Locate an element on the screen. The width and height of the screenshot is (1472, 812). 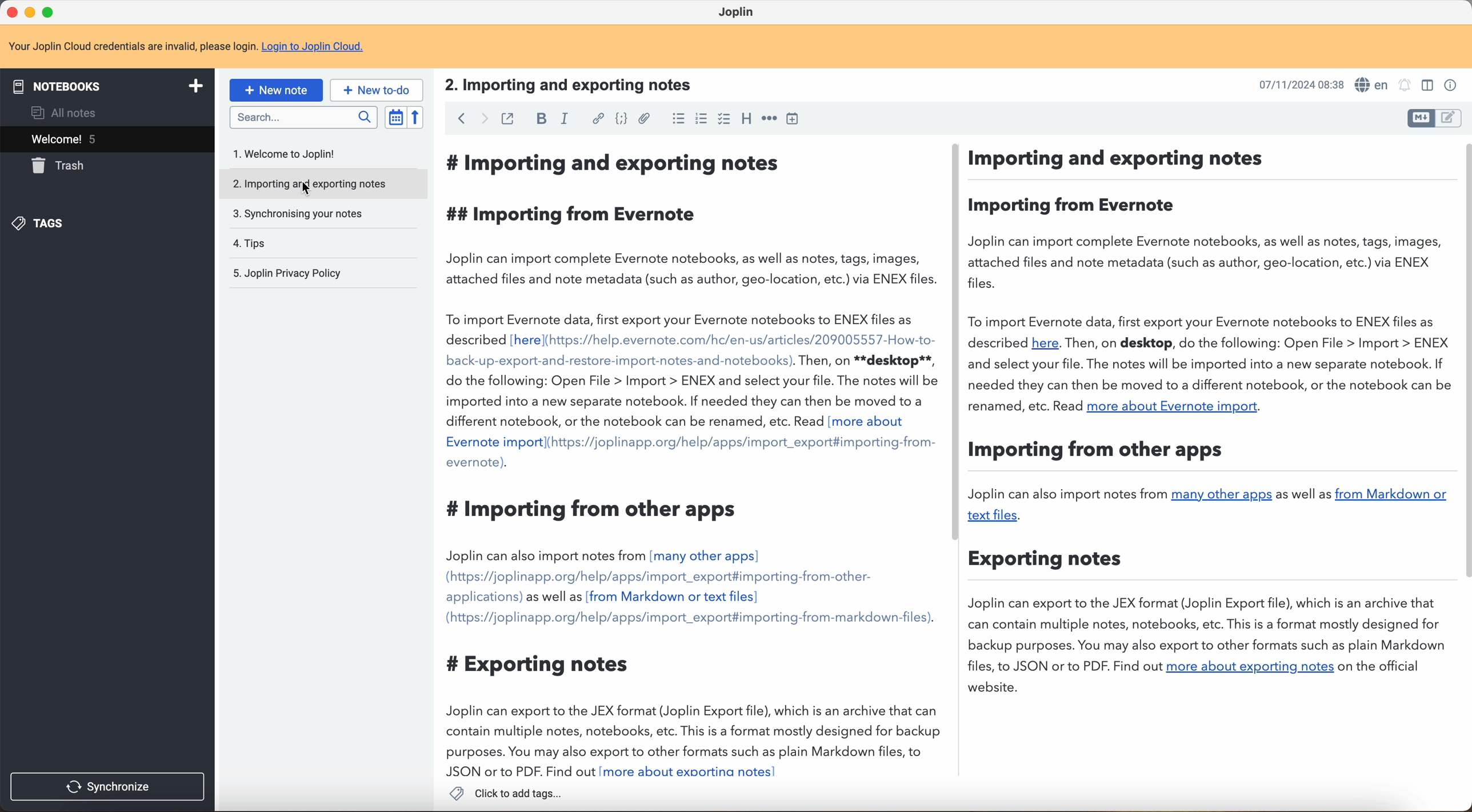
bold is located at coordinates (543, 118).